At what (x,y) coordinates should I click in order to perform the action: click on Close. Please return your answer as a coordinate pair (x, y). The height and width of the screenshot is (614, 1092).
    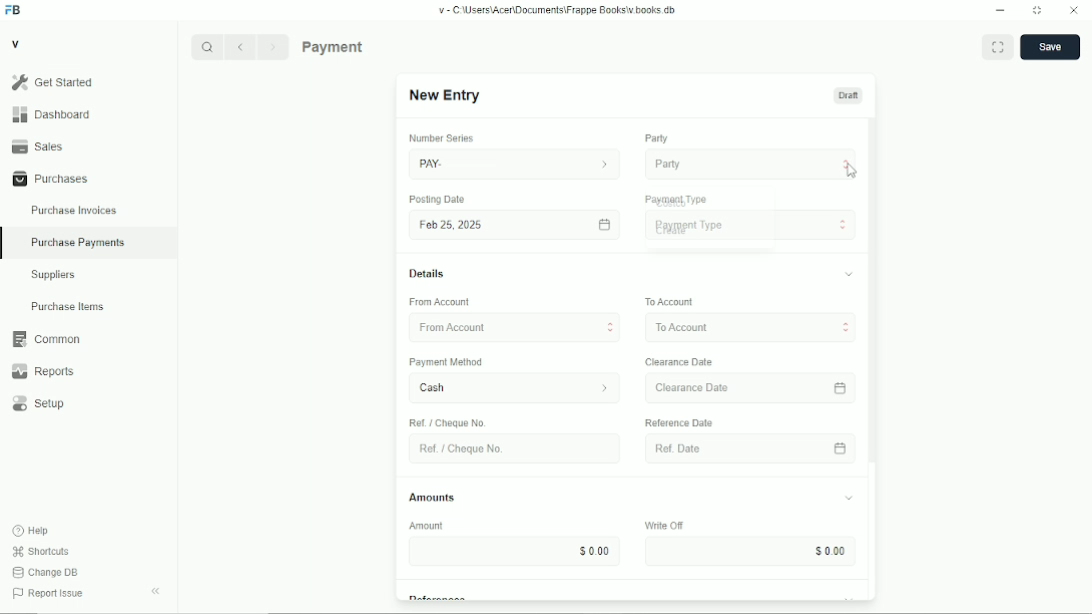
    Looking at the image, I should click on (1074, 10).